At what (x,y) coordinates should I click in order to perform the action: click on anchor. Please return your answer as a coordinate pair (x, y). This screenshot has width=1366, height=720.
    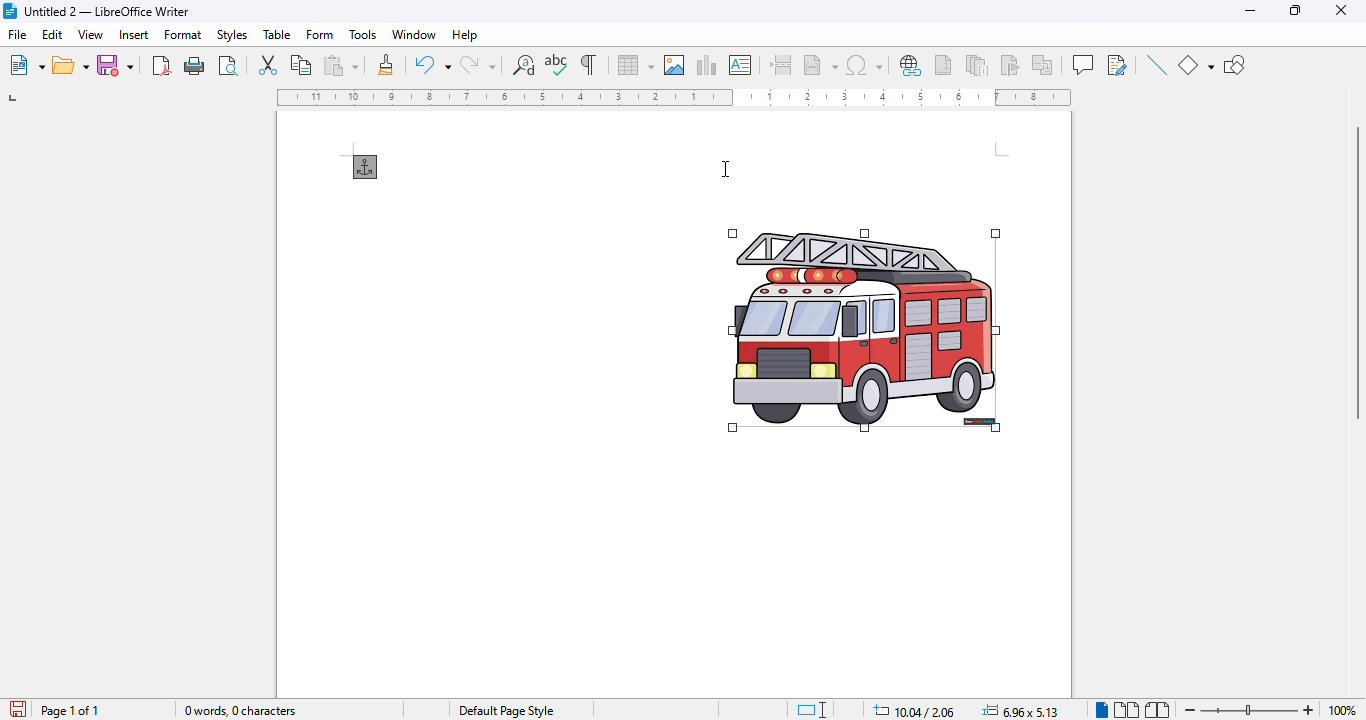
    Looking at the image, I should click on (366, 167).